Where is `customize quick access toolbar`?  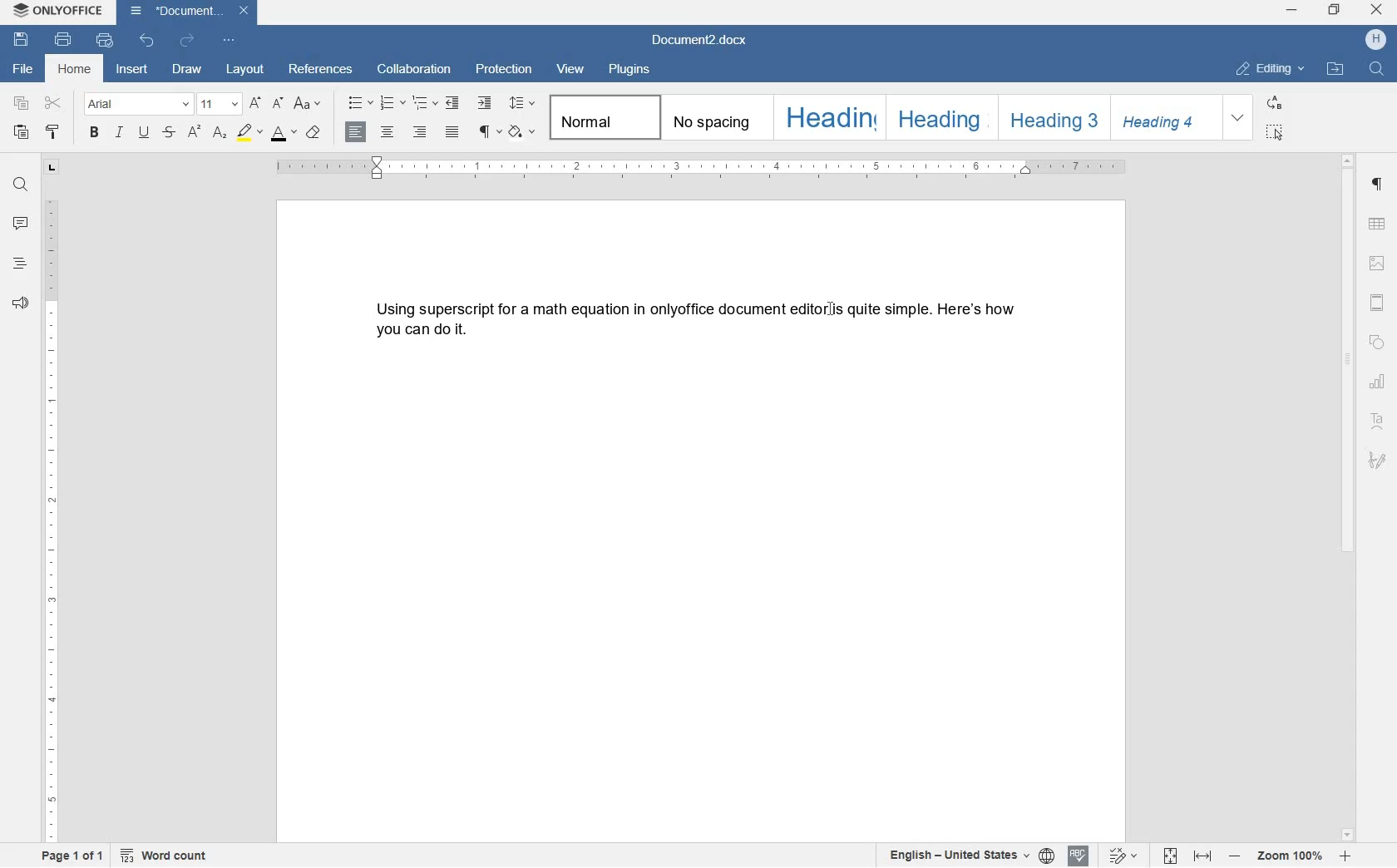
customize quick access toolbar is located at coordinates (227, 40).